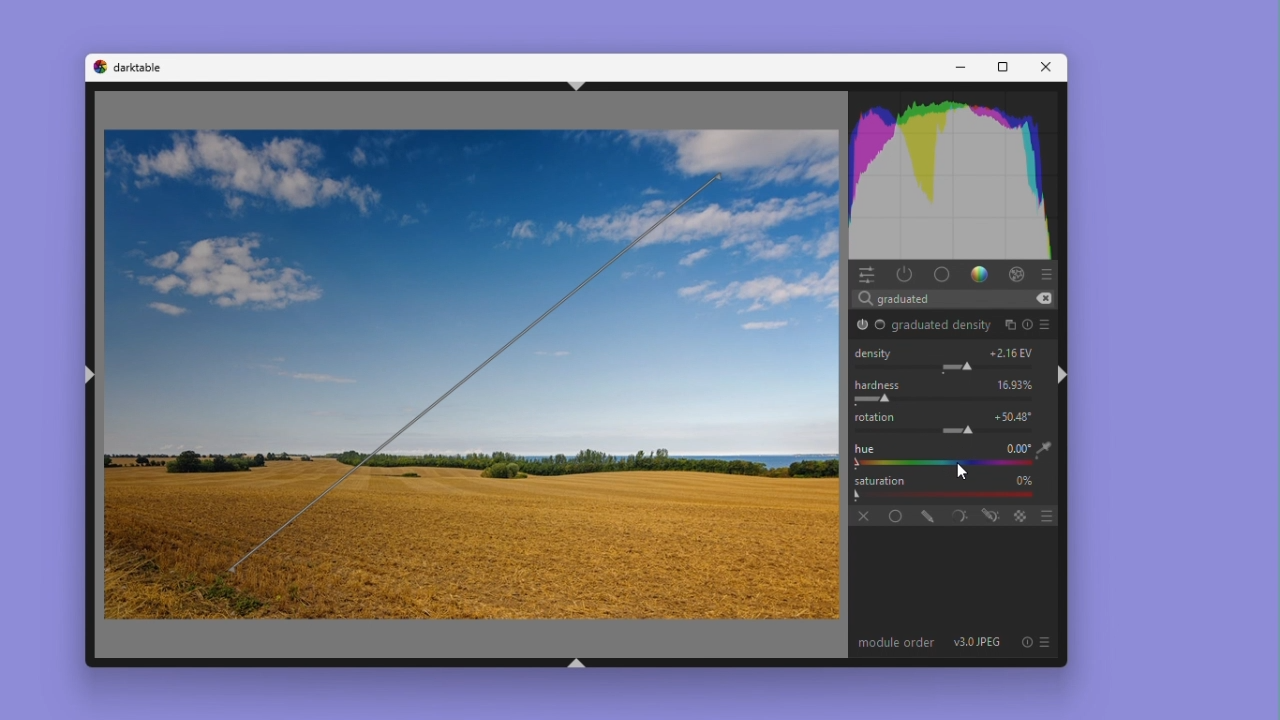  What do you see at coordinates (881, 326) in the screenshot?
I see `Base` at bounding box center [881, 326].